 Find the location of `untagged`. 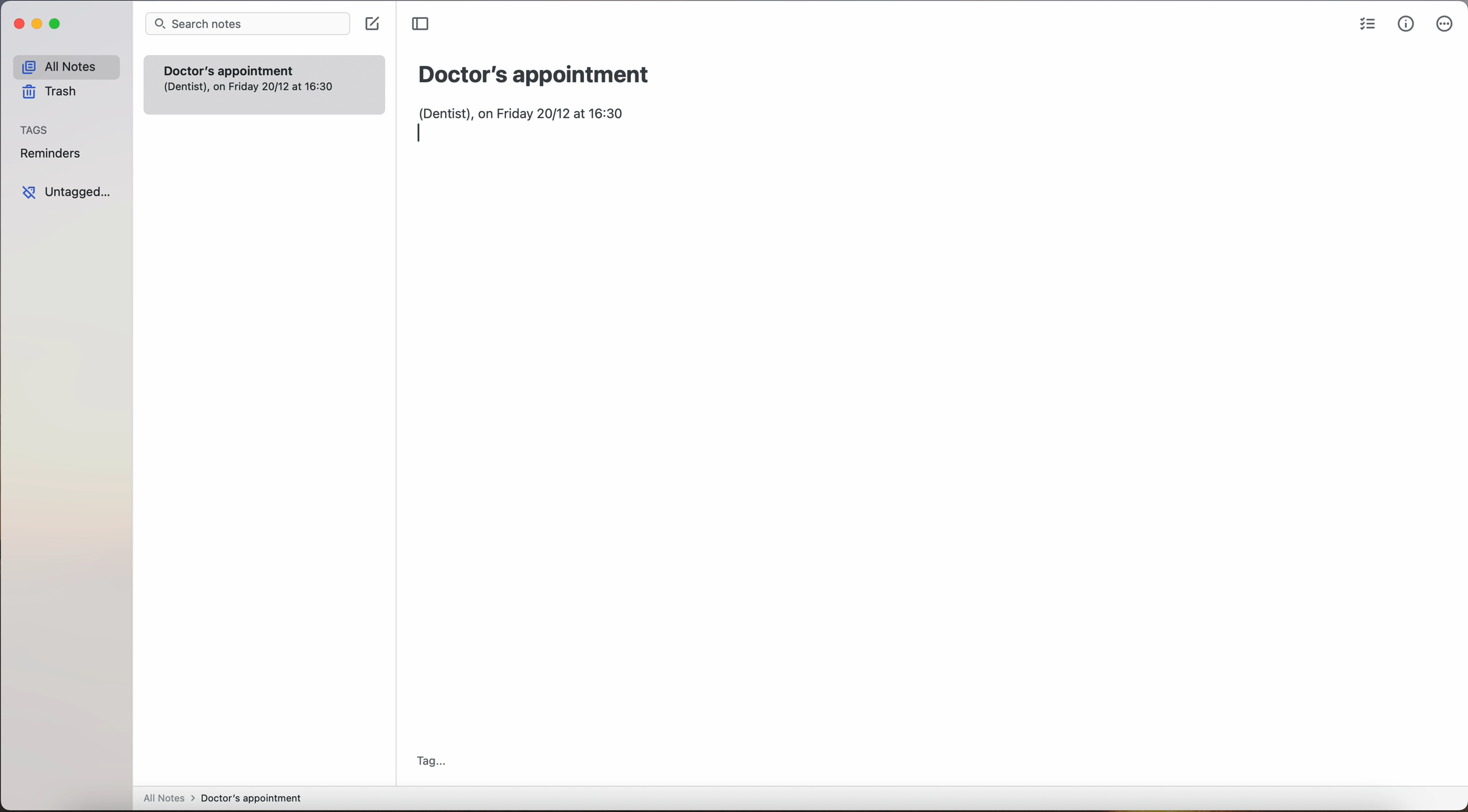

untagged is located at coordinates (70, 192).